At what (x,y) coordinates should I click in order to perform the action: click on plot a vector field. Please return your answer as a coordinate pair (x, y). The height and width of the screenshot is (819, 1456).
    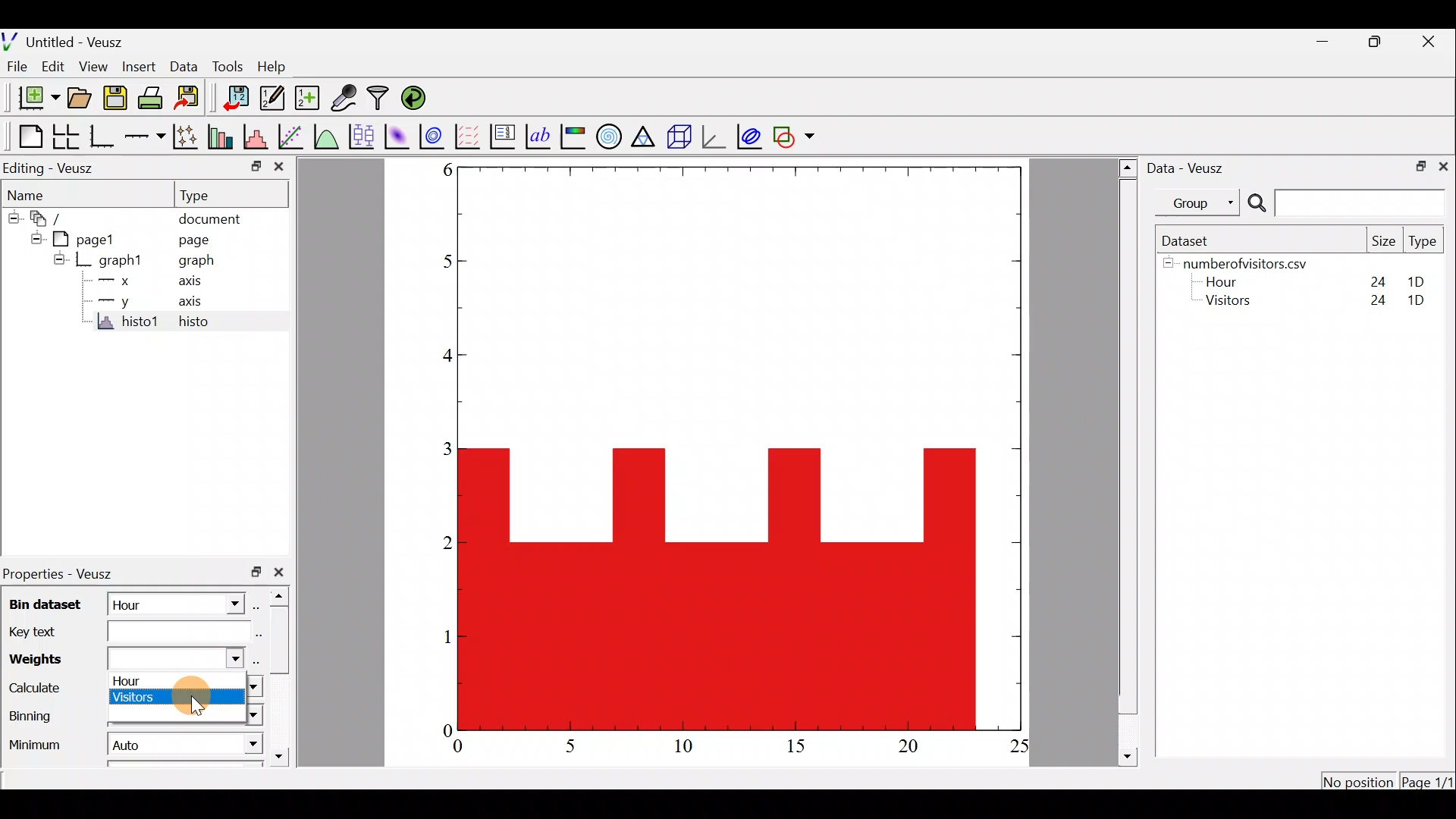
    Looking at the image, I should click on (467, 134).